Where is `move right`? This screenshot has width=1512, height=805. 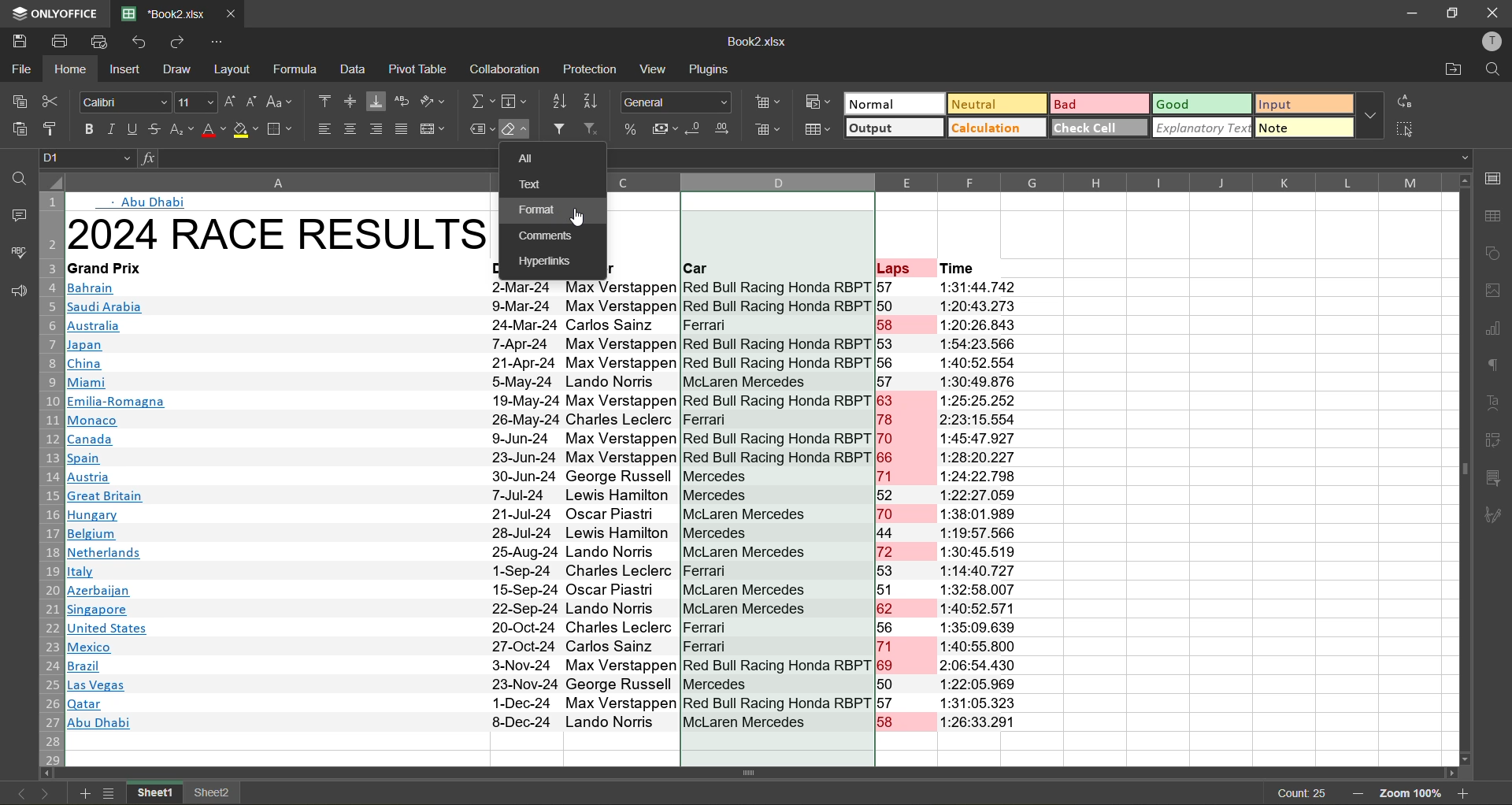 move right is located at coordinates (1447, 773).